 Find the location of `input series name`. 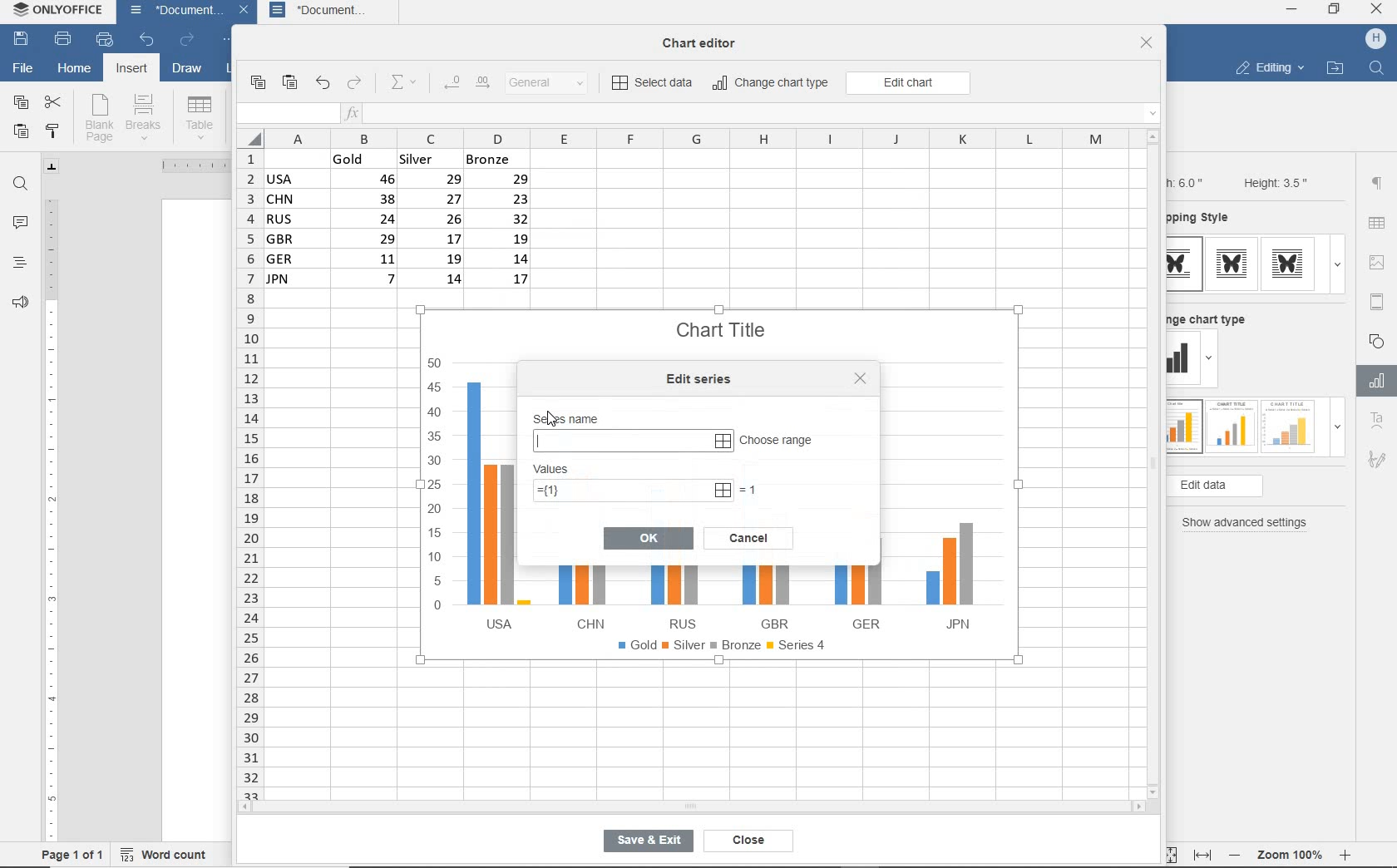

input series name is located at coordinates (634, 441).